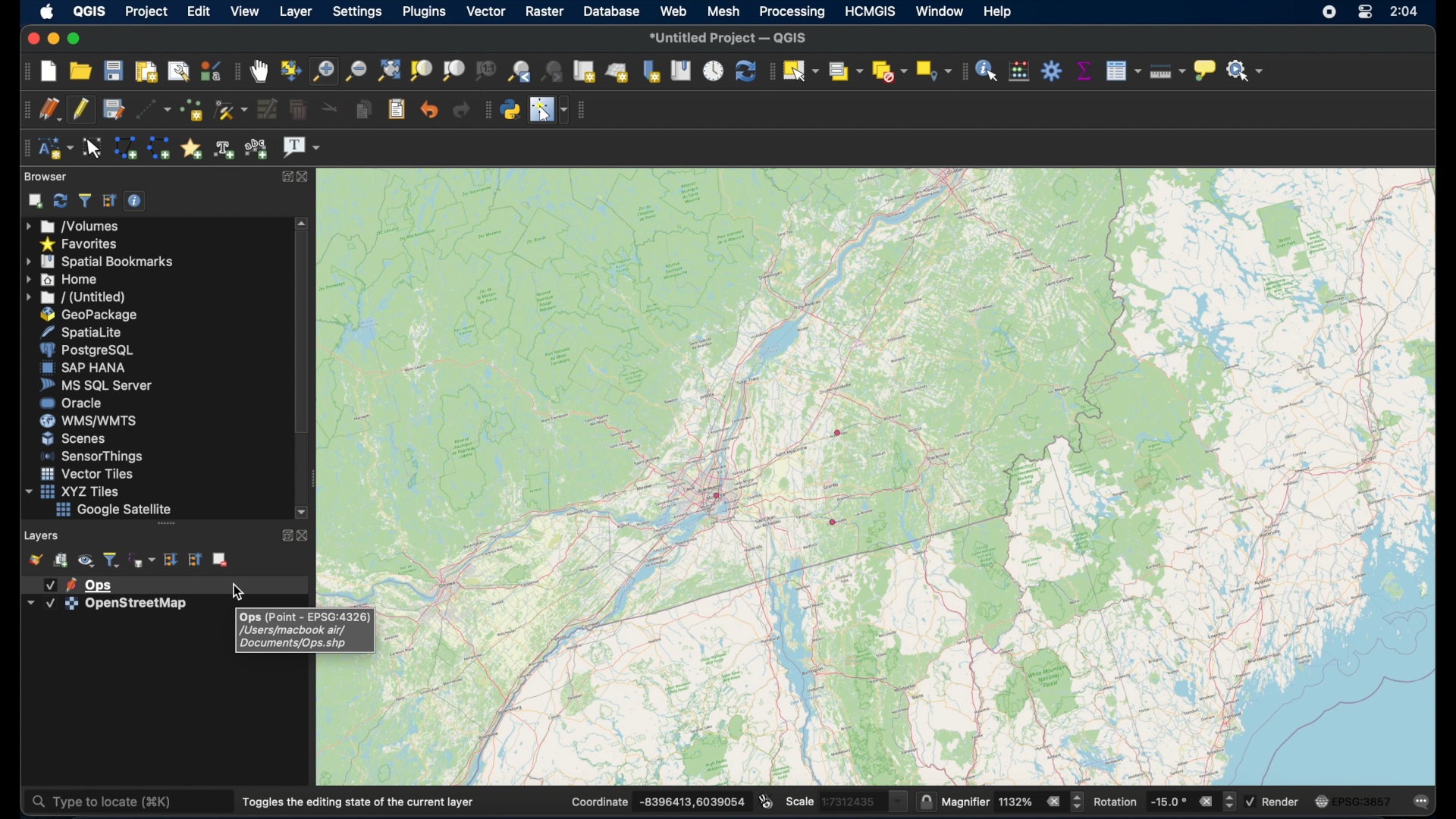 This screenshot has height=819, width=1456. What do you see at coordinates (359, 13) in the screenshot?
I see `settings` at bounding box center [359, 13].